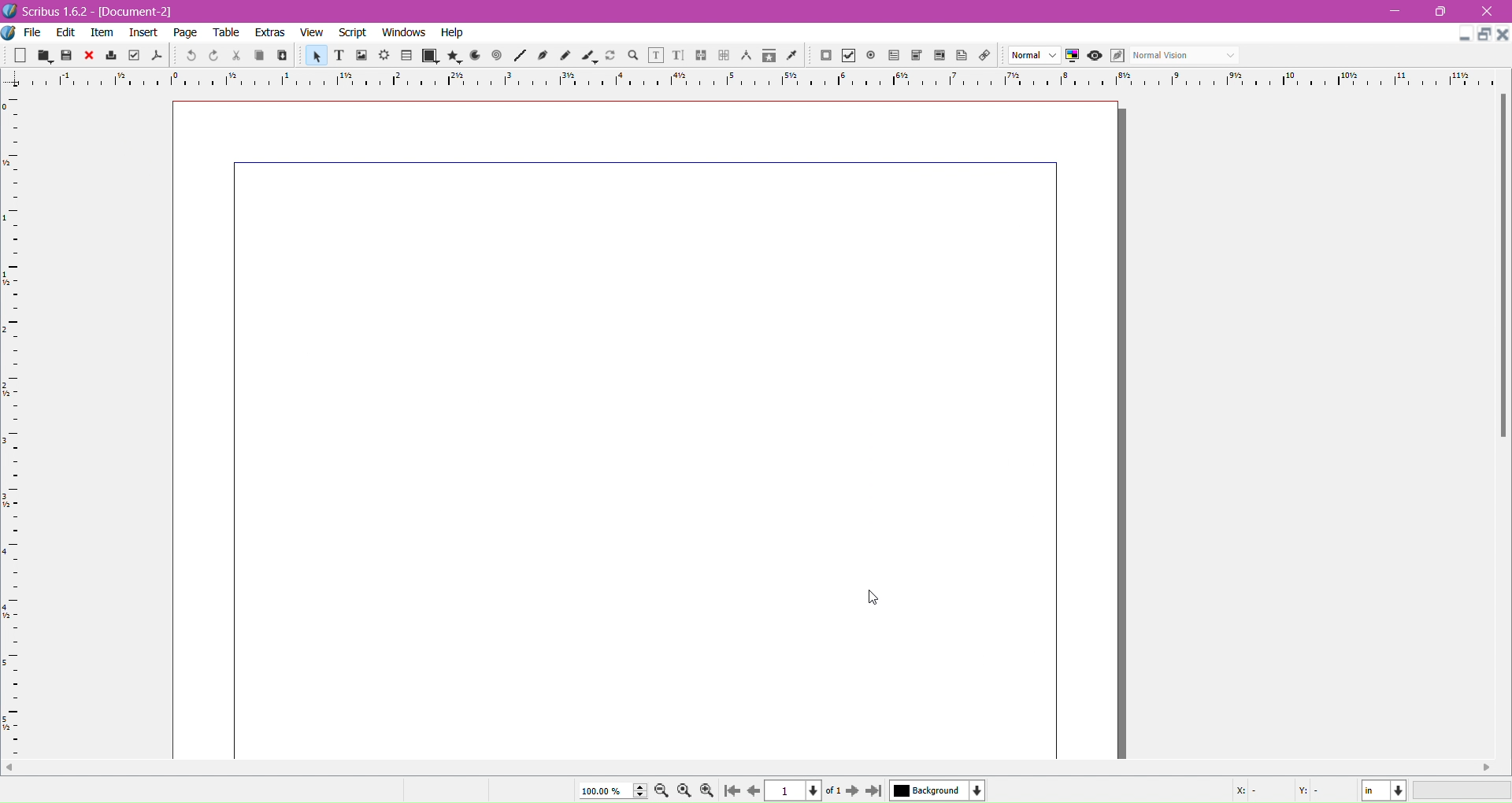 This screenshot has height=803, width=1512. I want to click on search, so click(632, 57).